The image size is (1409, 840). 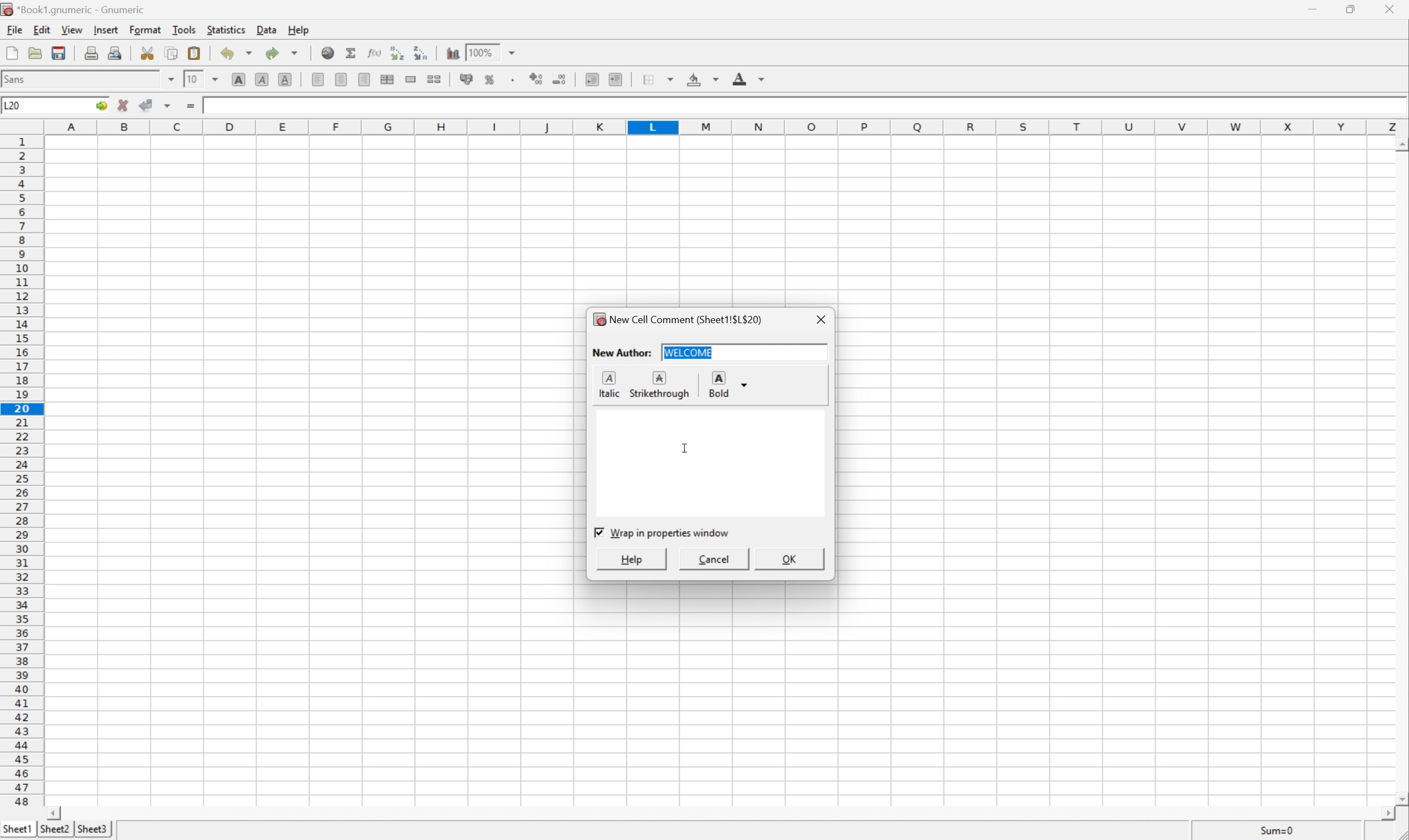 I want to click on Bold, so click(x=720, y=384).